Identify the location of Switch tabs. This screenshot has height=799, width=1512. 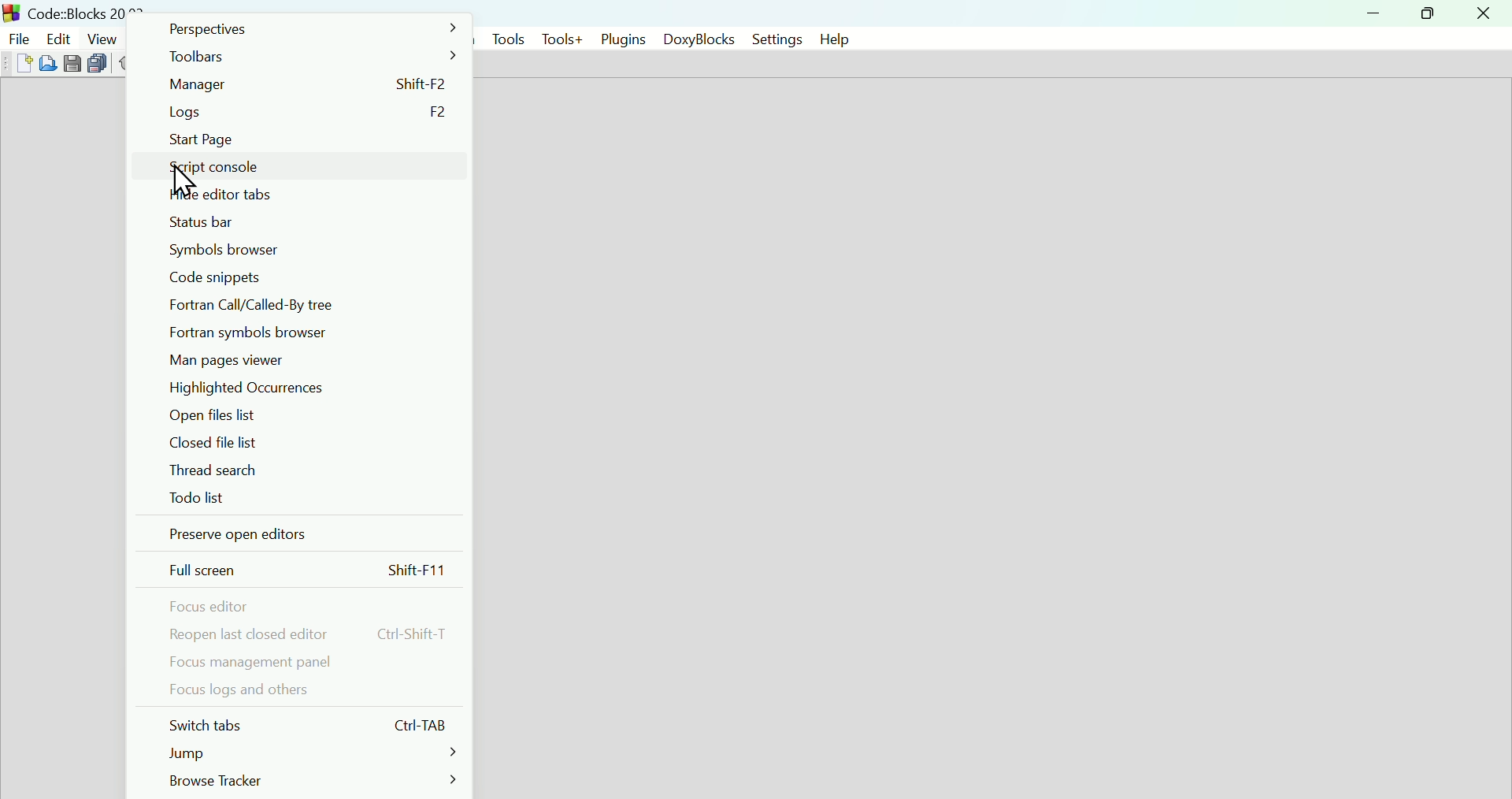
(305, 723).